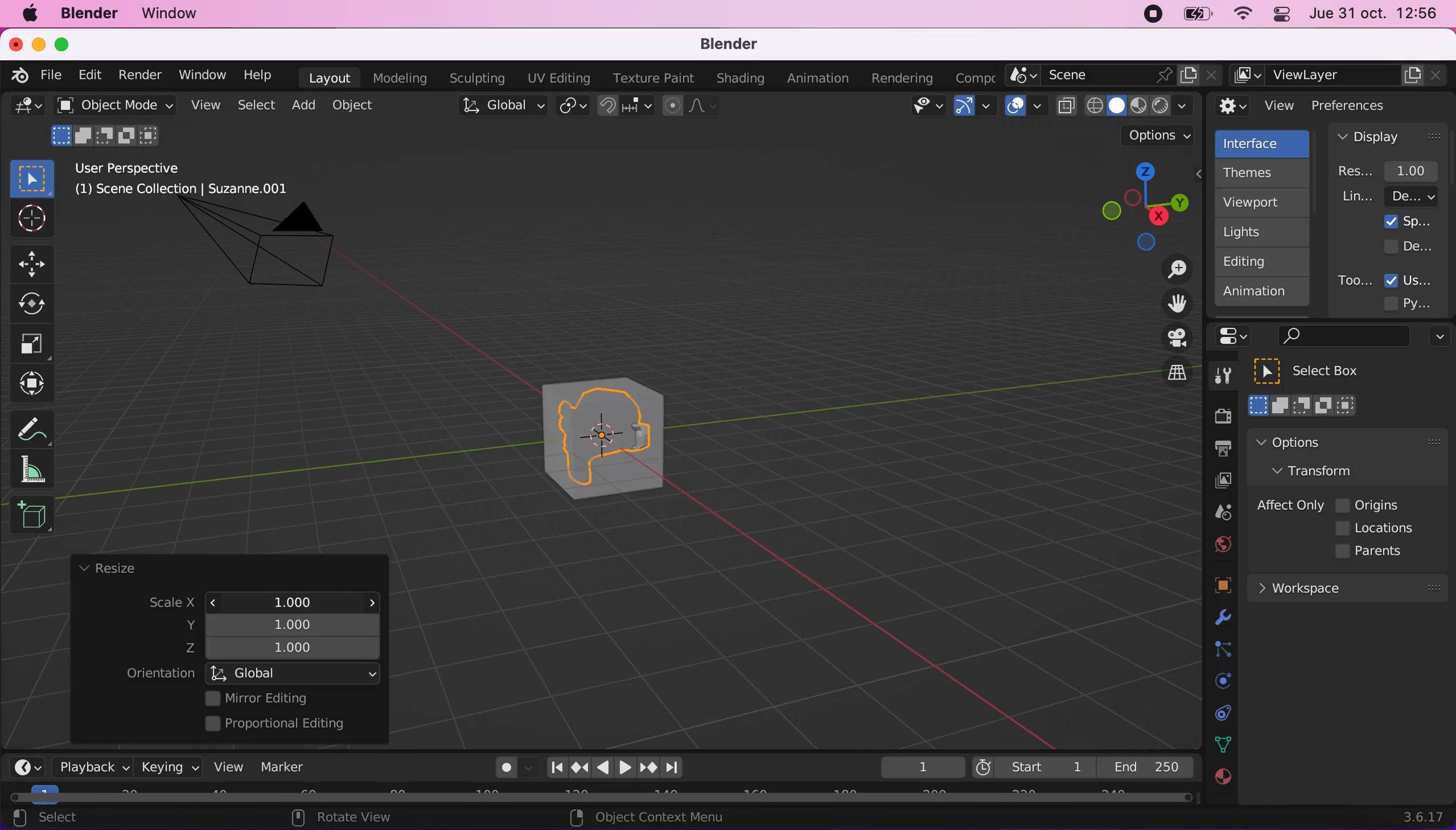  Describe the element at coordinates (1239, 17) in the screenshot. I see `wifi` at that location.